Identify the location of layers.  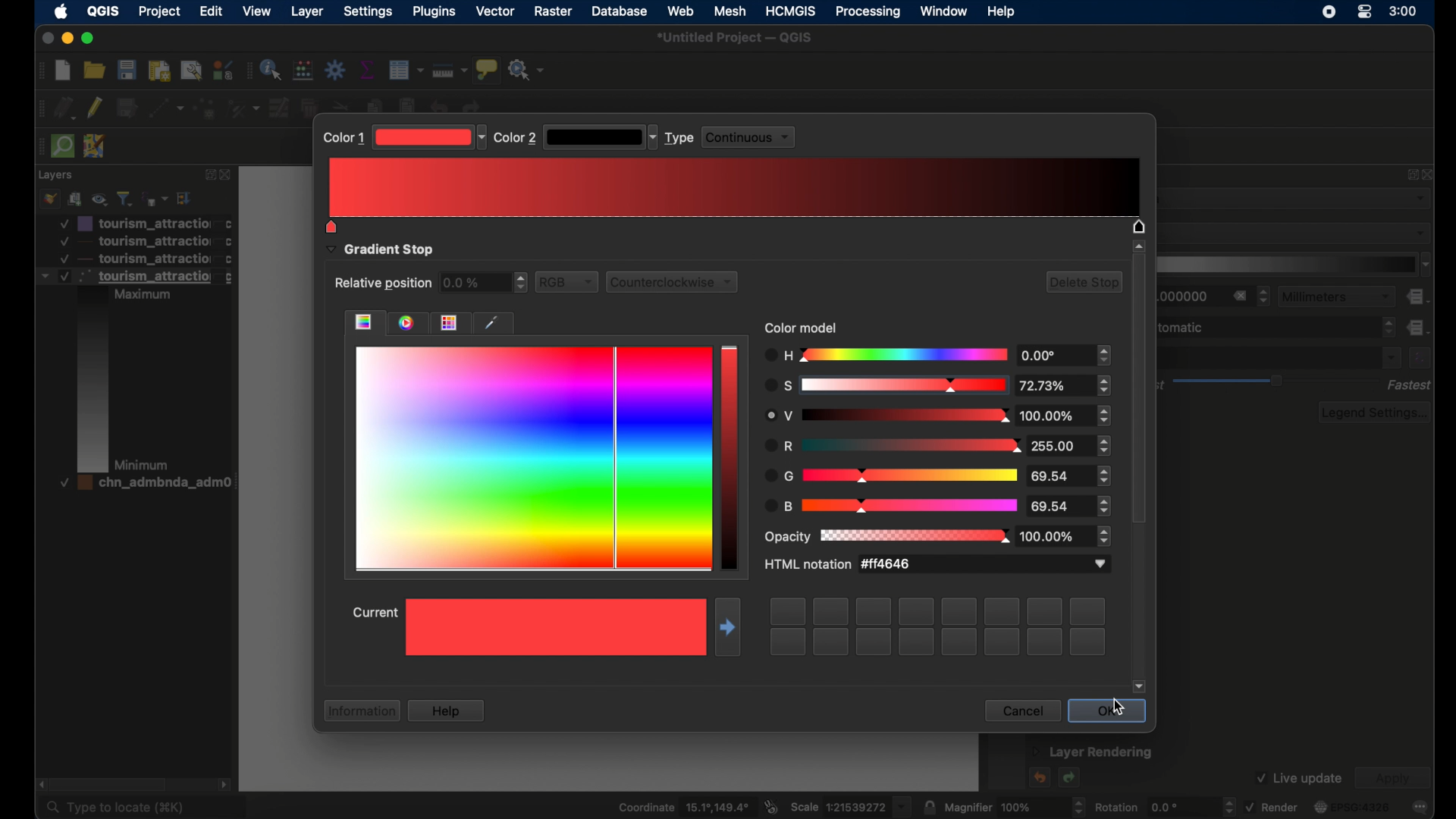
(56, 175).